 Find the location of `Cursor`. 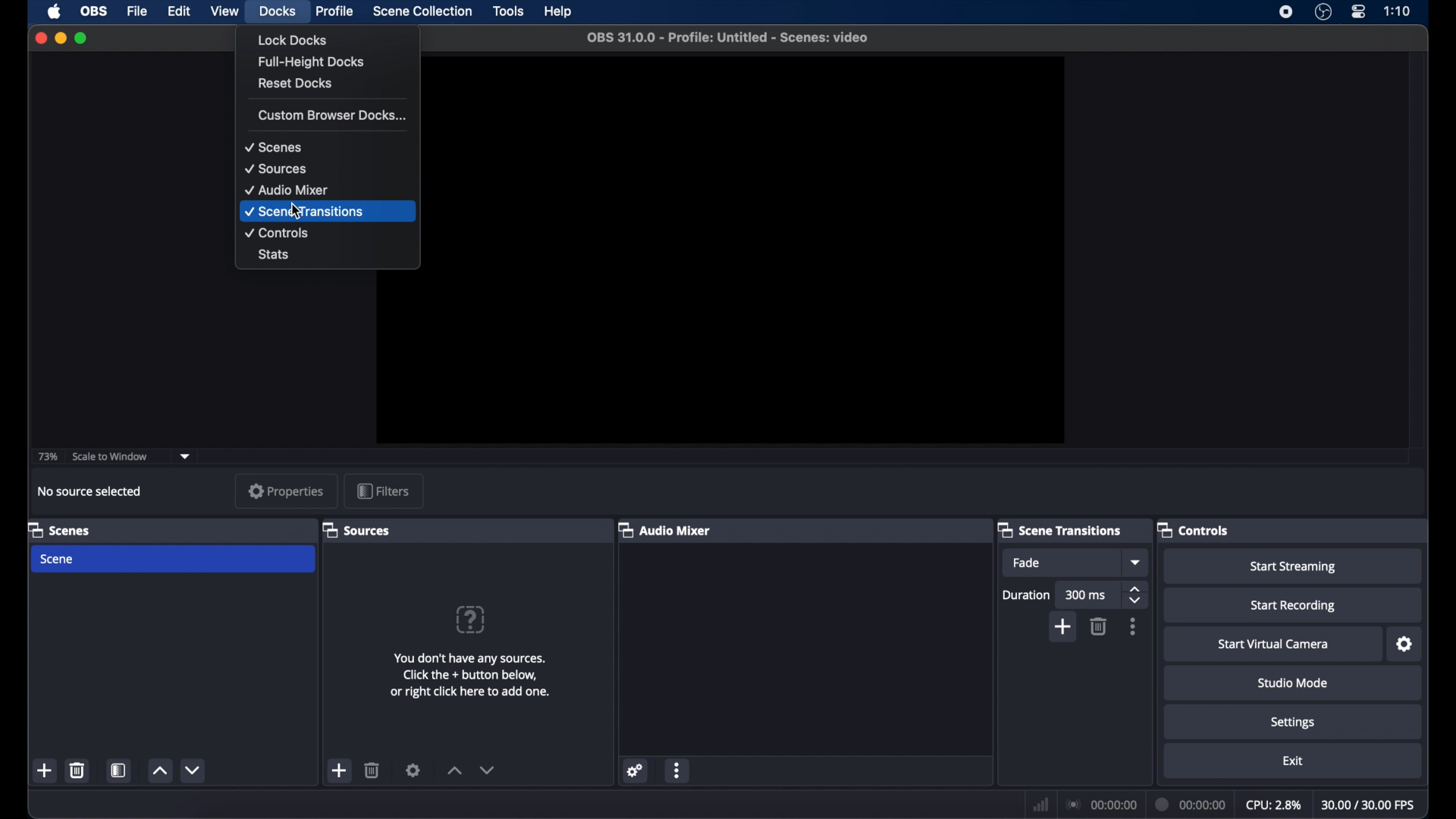

Cursor is located at coordinates (295, 211).